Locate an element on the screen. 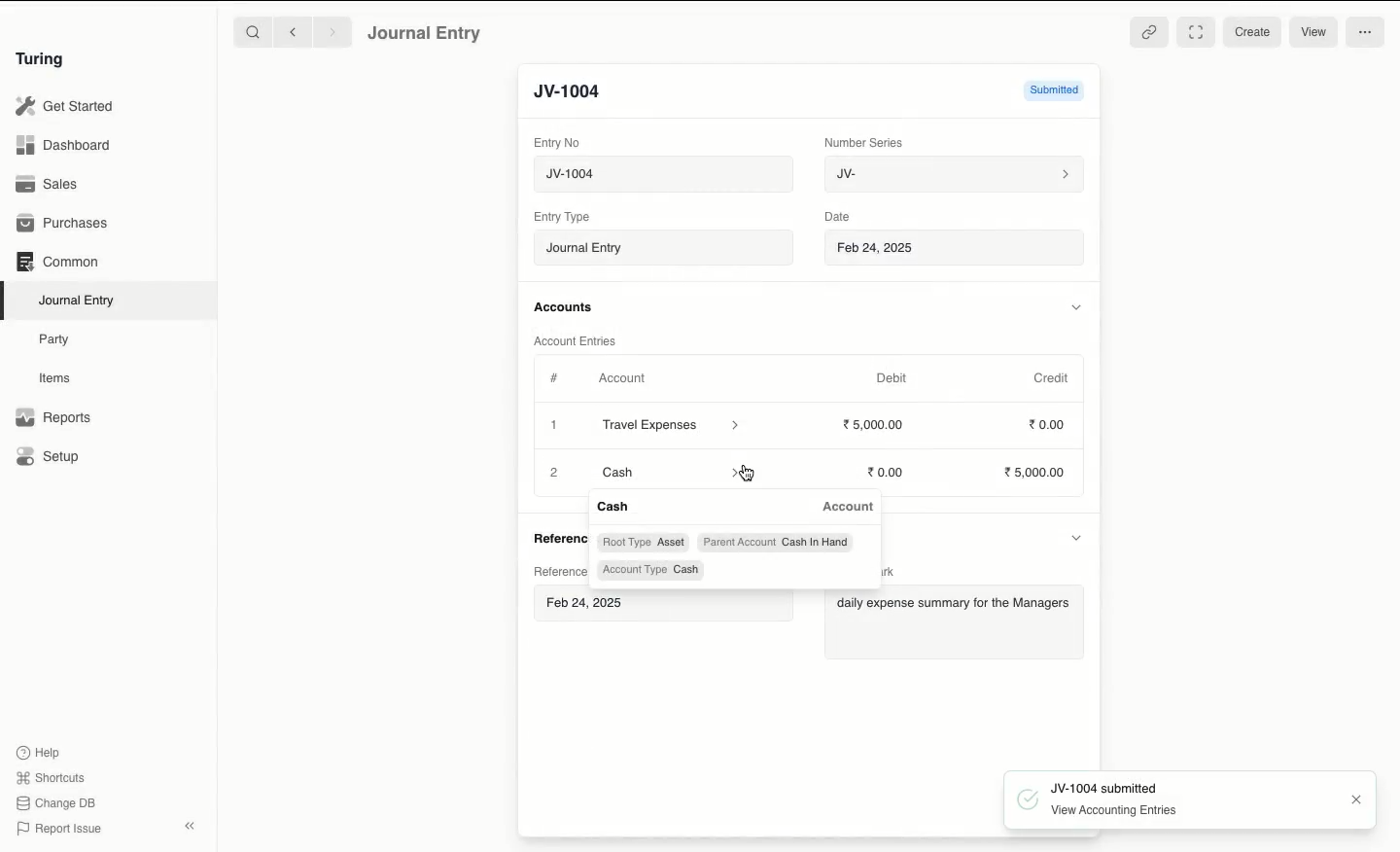  ‘Parent Account Cash In Hand is located at coordinates (776, 541).